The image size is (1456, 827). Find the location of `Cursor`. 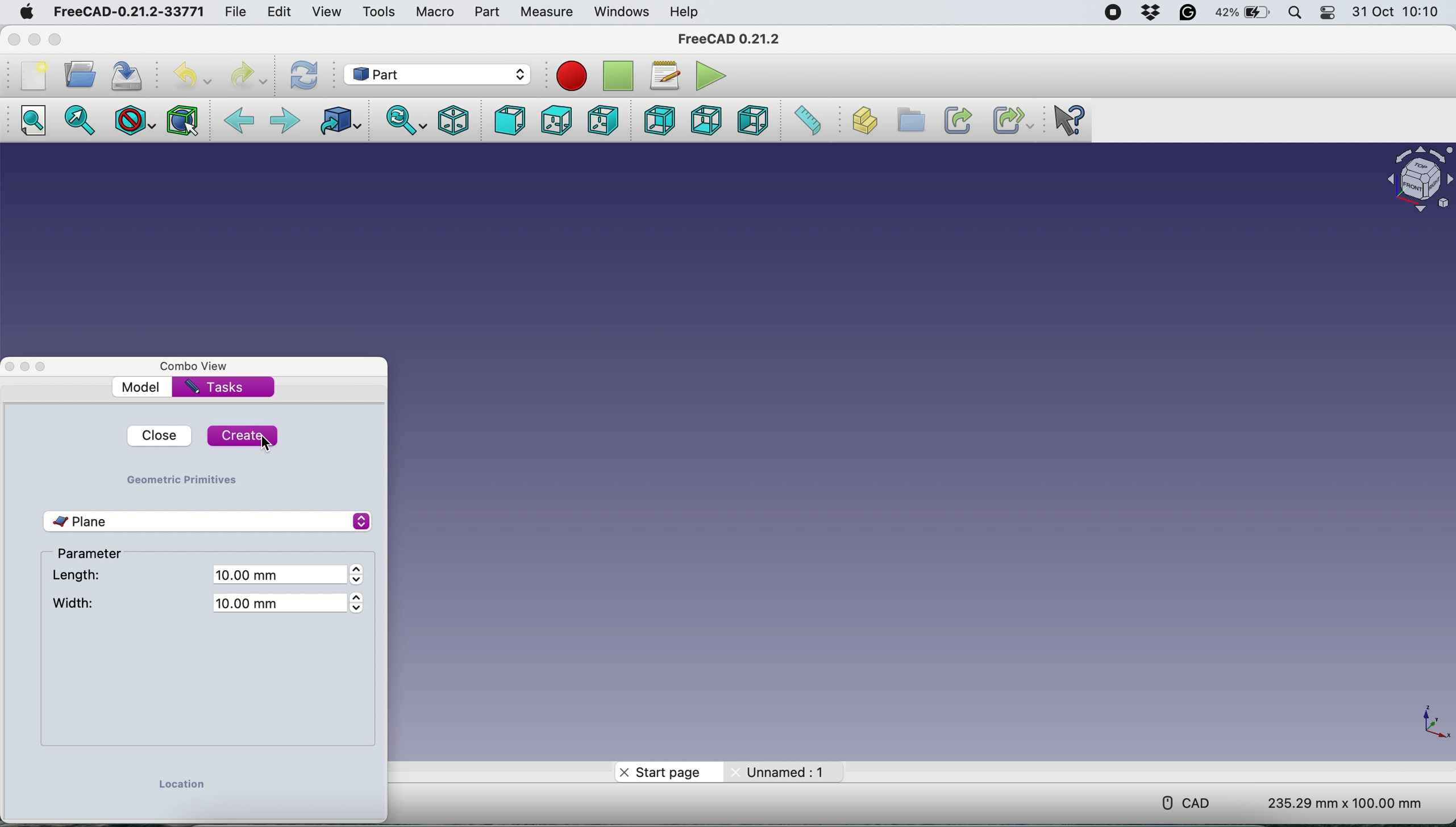

Cursor is located at coordinates (499, 23).